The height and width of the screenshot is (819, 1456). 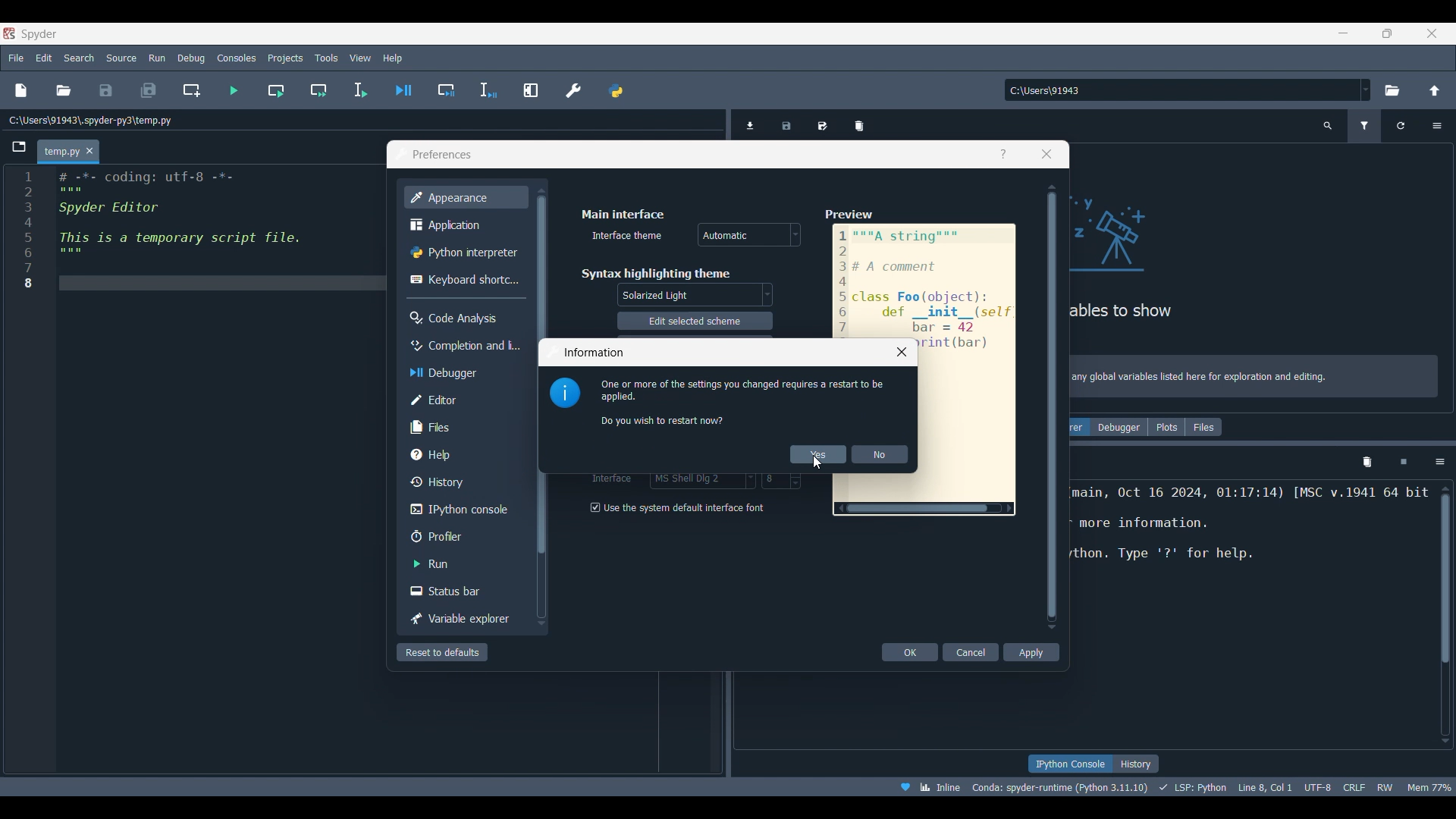 What do you see at coordinates (463, 318) in the screenshot?
I see `Code analysis` at bounding box center [463, 318].